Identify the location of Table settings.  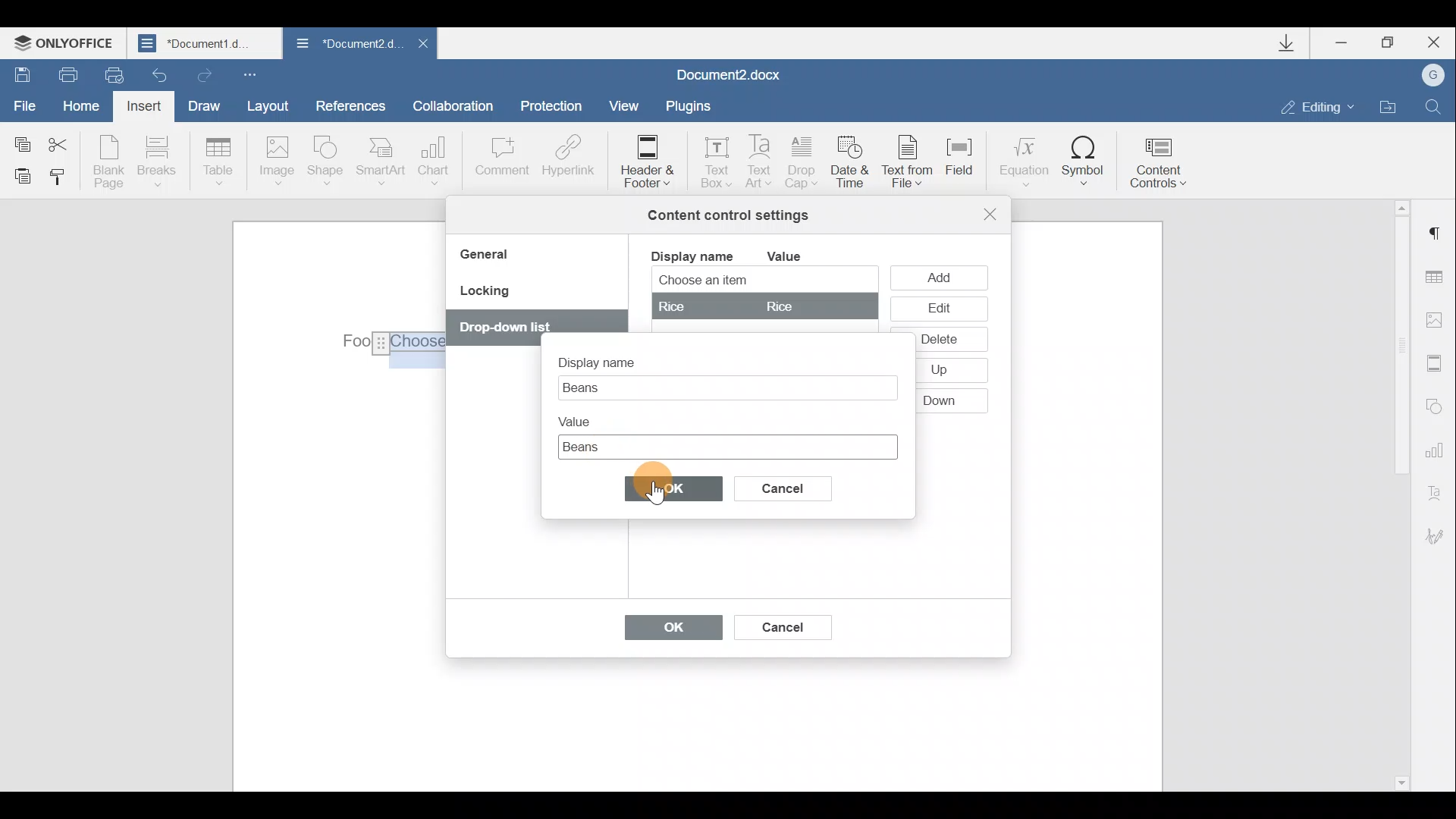
(1439, 279).